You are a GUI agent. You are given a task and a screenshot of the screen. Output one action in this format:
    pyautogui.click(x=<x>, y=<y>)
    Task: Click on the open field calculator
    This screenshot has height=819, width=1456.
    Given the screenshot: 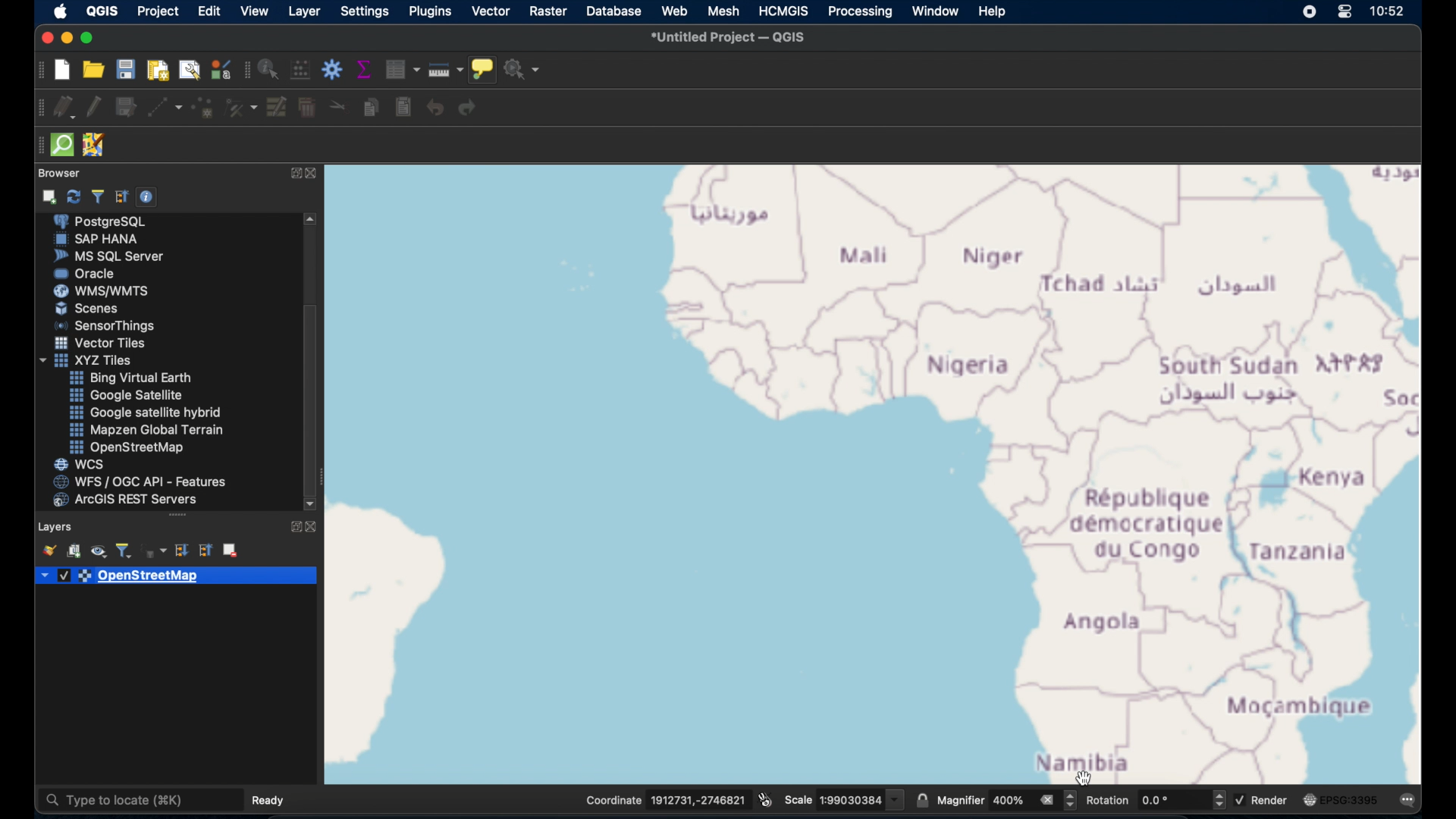 What is the action you would take?
    pyautogui.click(x=298, y=70)
    